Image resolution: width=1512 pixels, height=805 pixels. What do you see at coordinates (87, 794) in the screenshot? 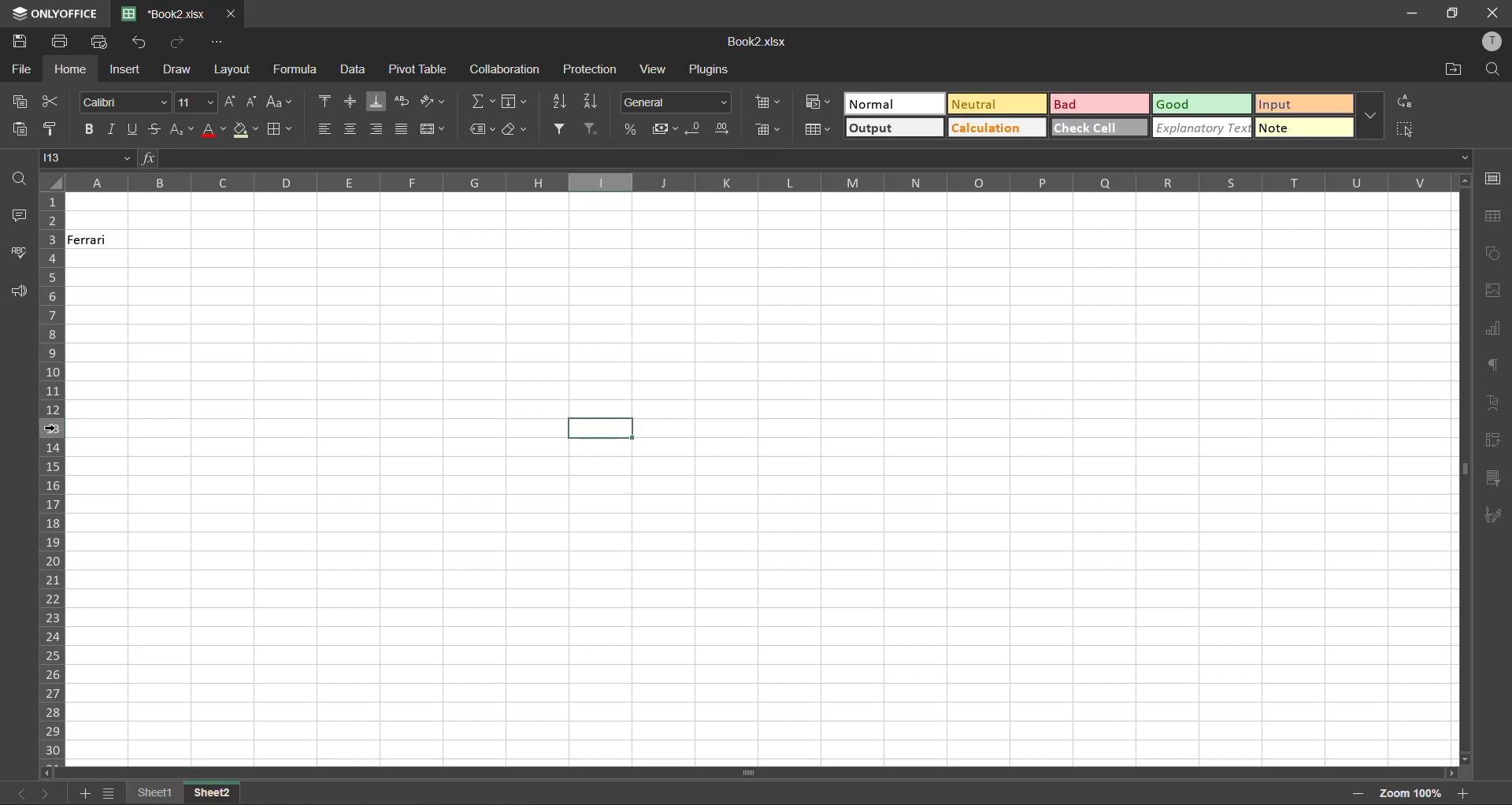
I see `add sheet` at bounding box center [87, 794].